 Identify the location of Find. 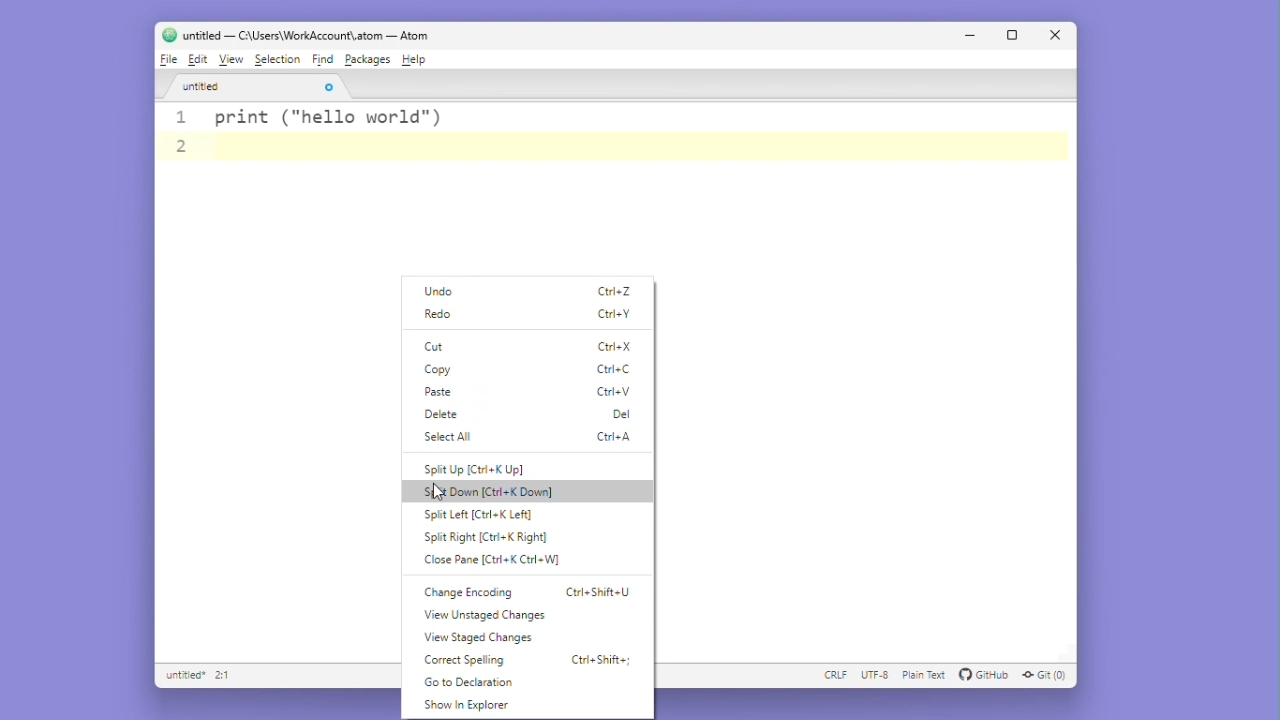
(325, 60).